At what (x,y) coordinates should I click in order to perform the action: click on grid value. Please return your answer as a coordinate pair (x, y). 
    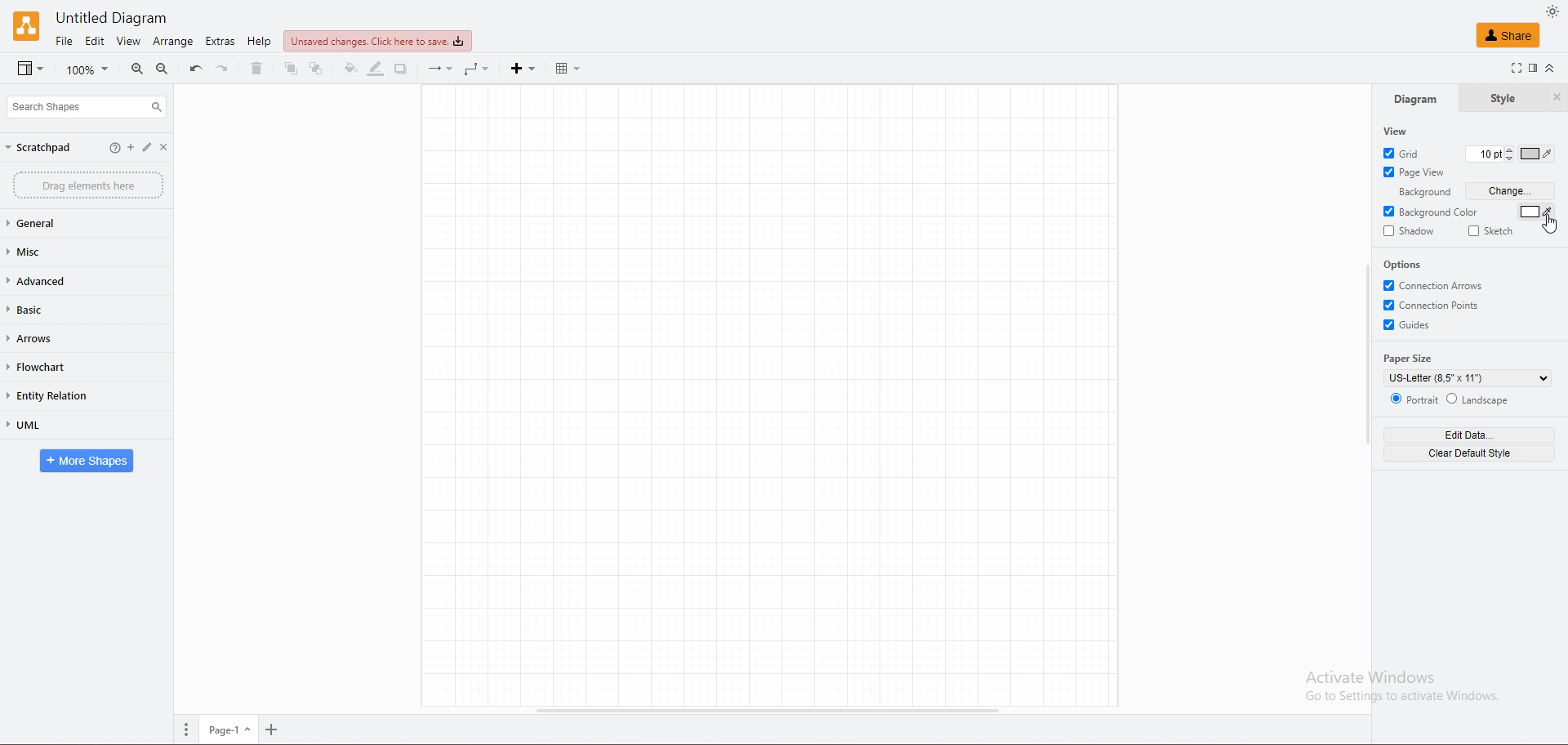
    Looking at the image, I should click on (1482, 155).